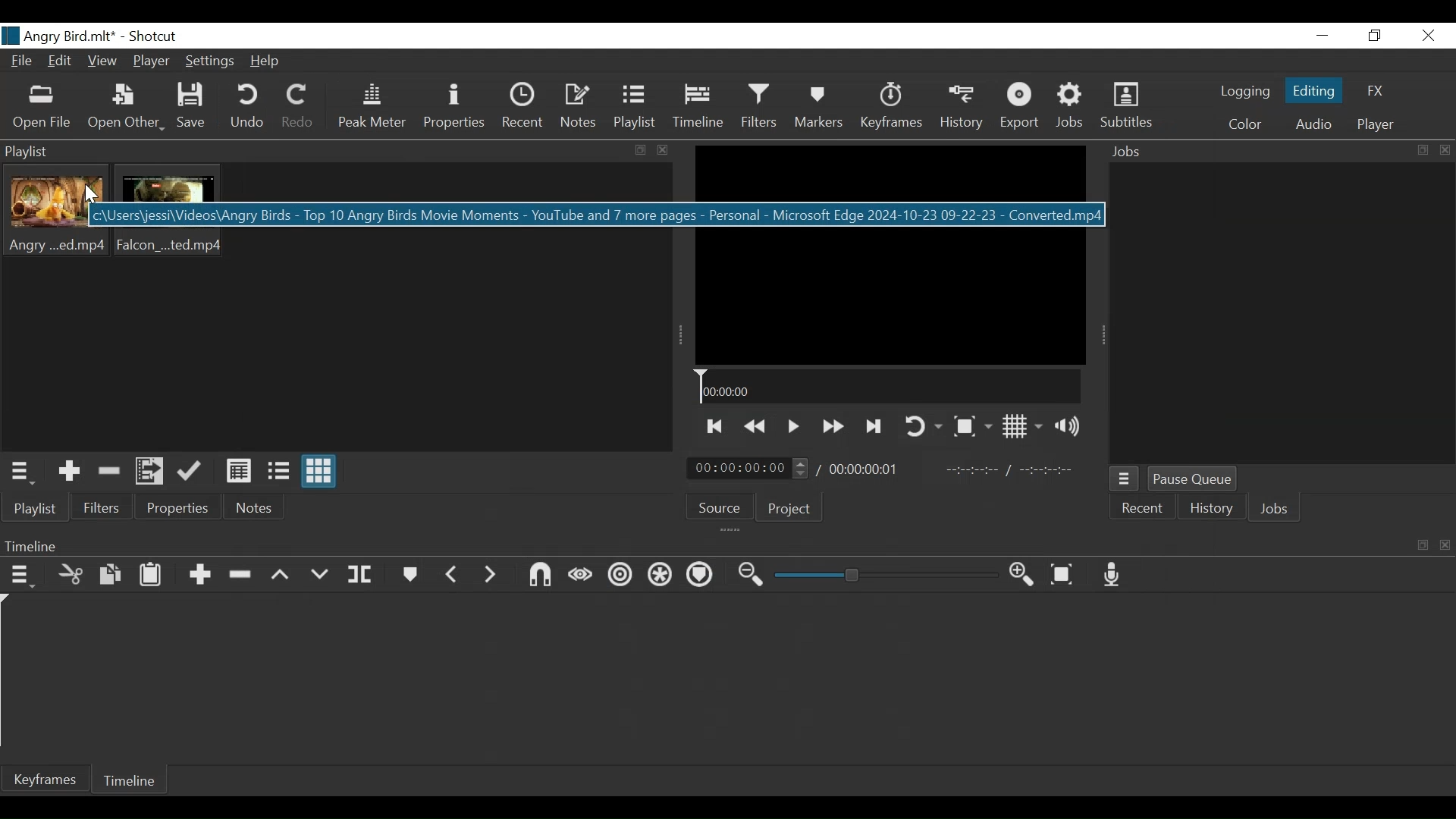  I want to click on Append, so click(202, 576).